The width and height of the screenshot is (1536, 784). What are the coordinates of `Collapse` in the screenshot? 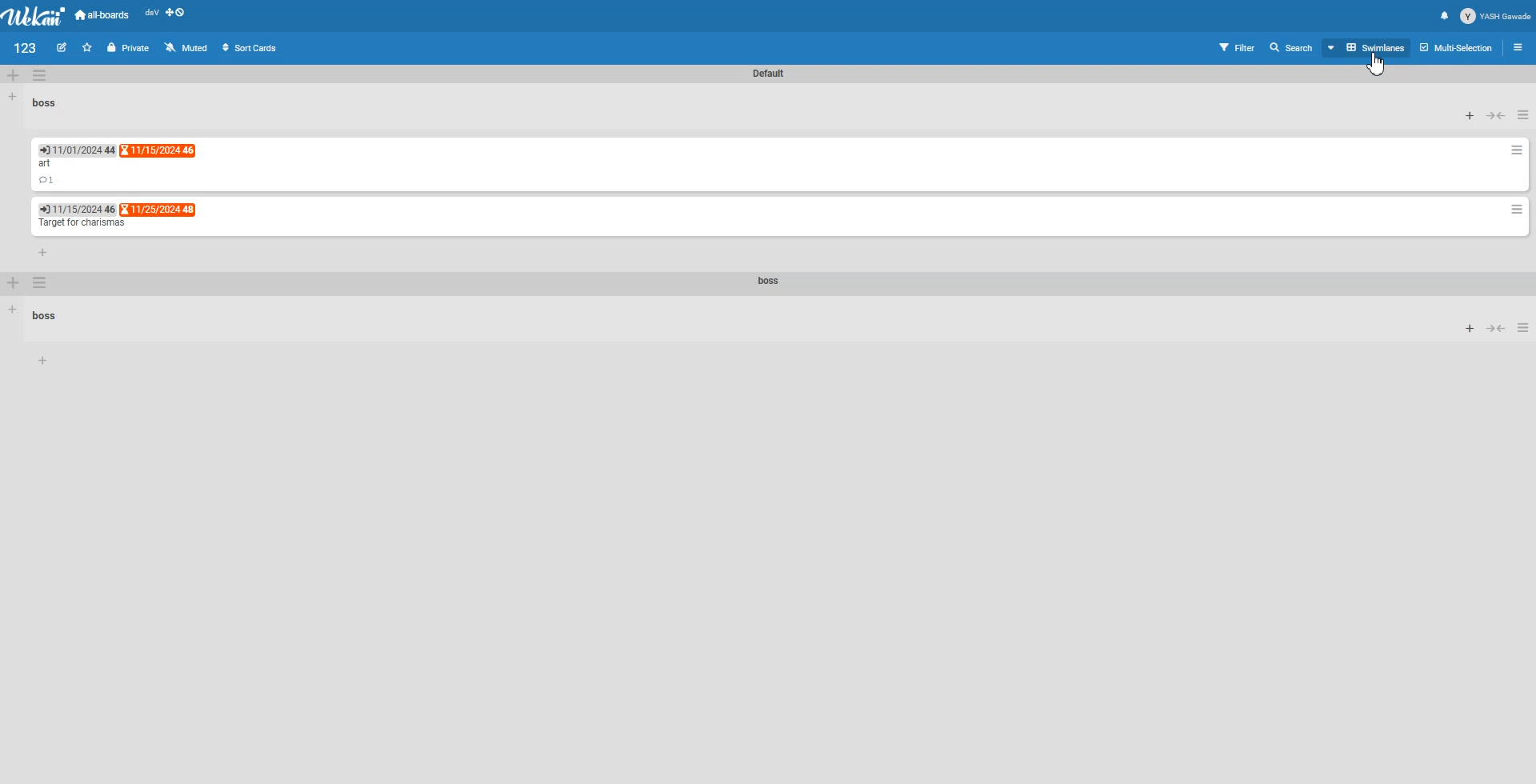 It's located at (1496, 327).